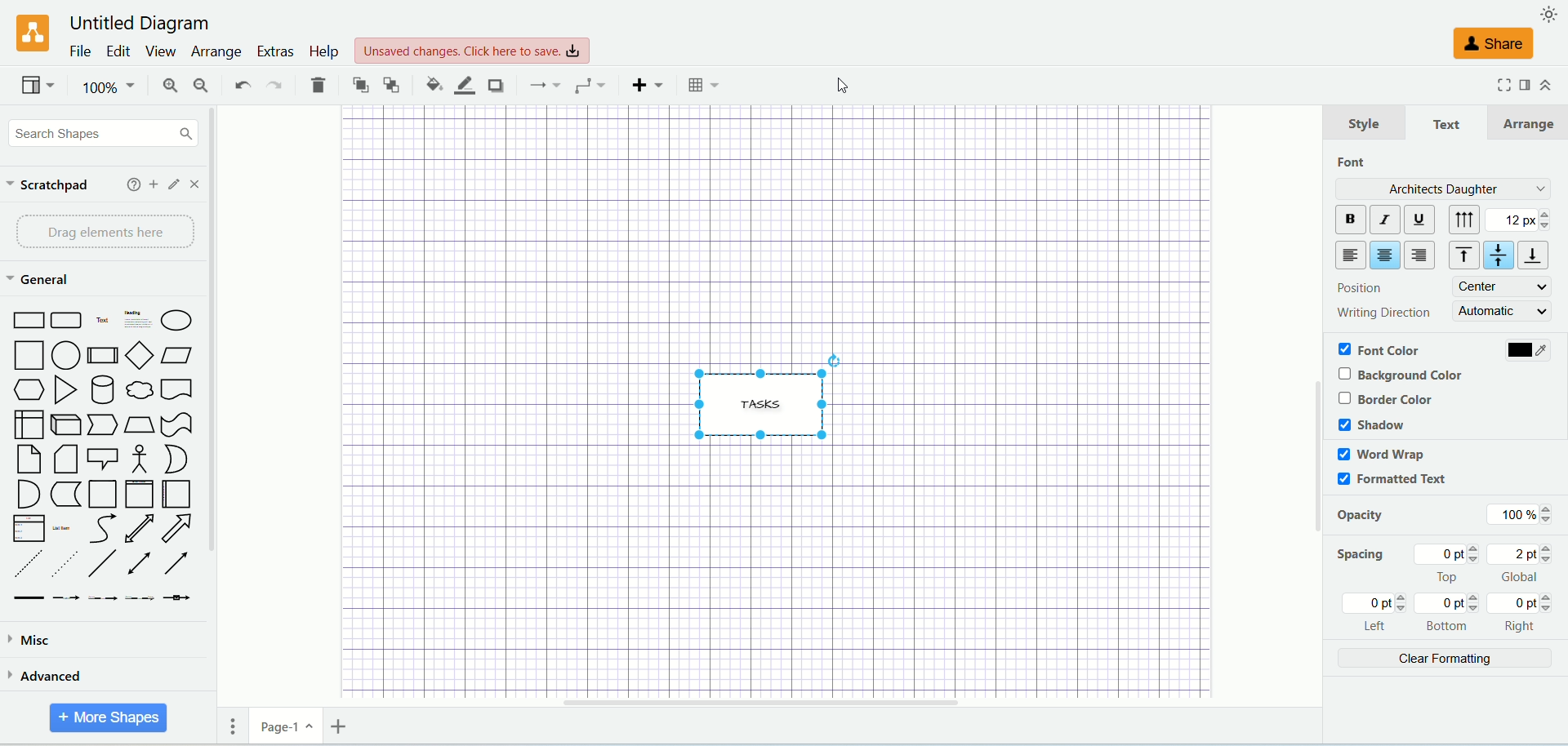  I want to click on cursor, so click(837, 88).